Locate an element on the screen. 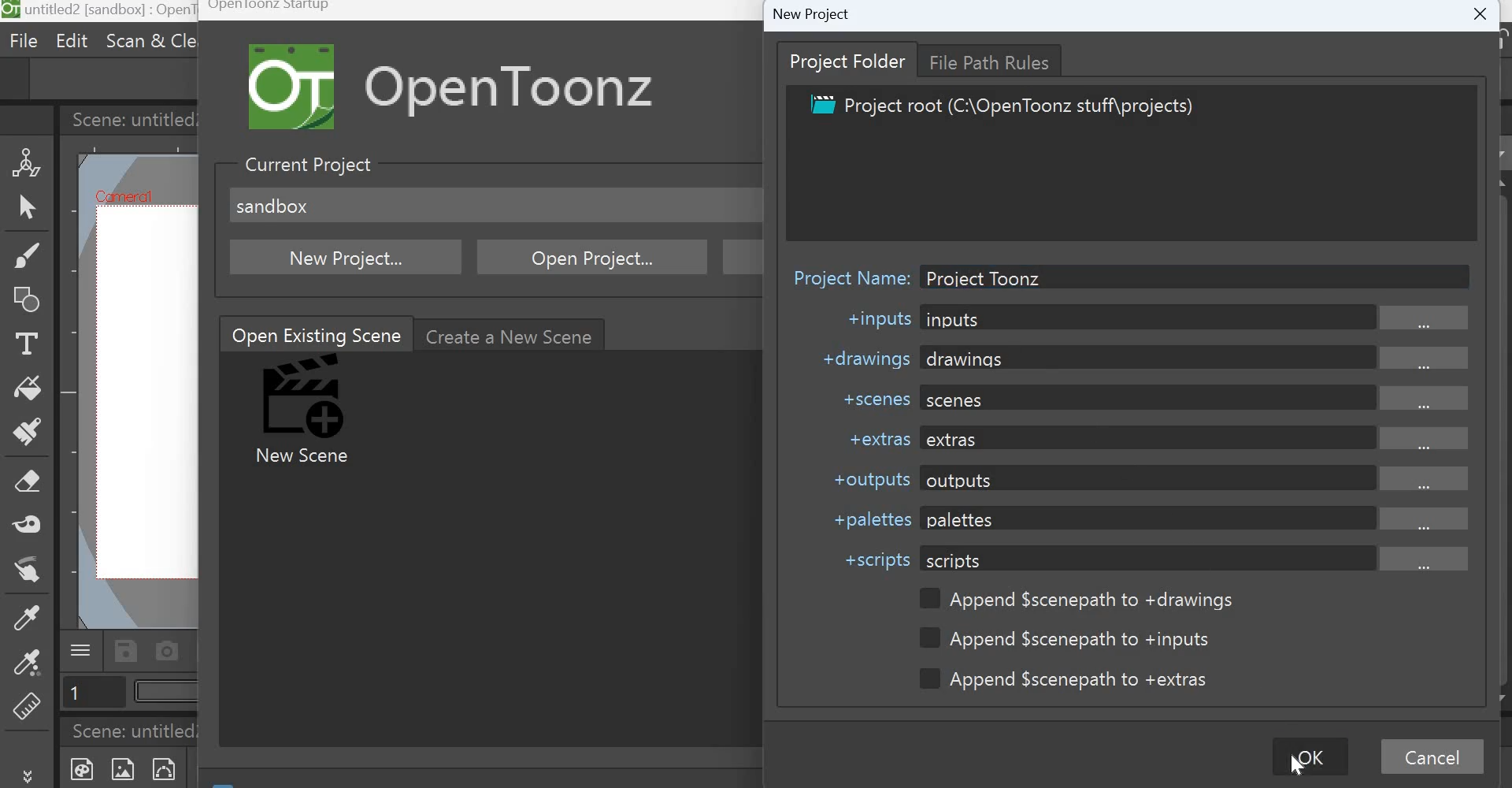  Project Toonz is located at coordinates (987, 277).